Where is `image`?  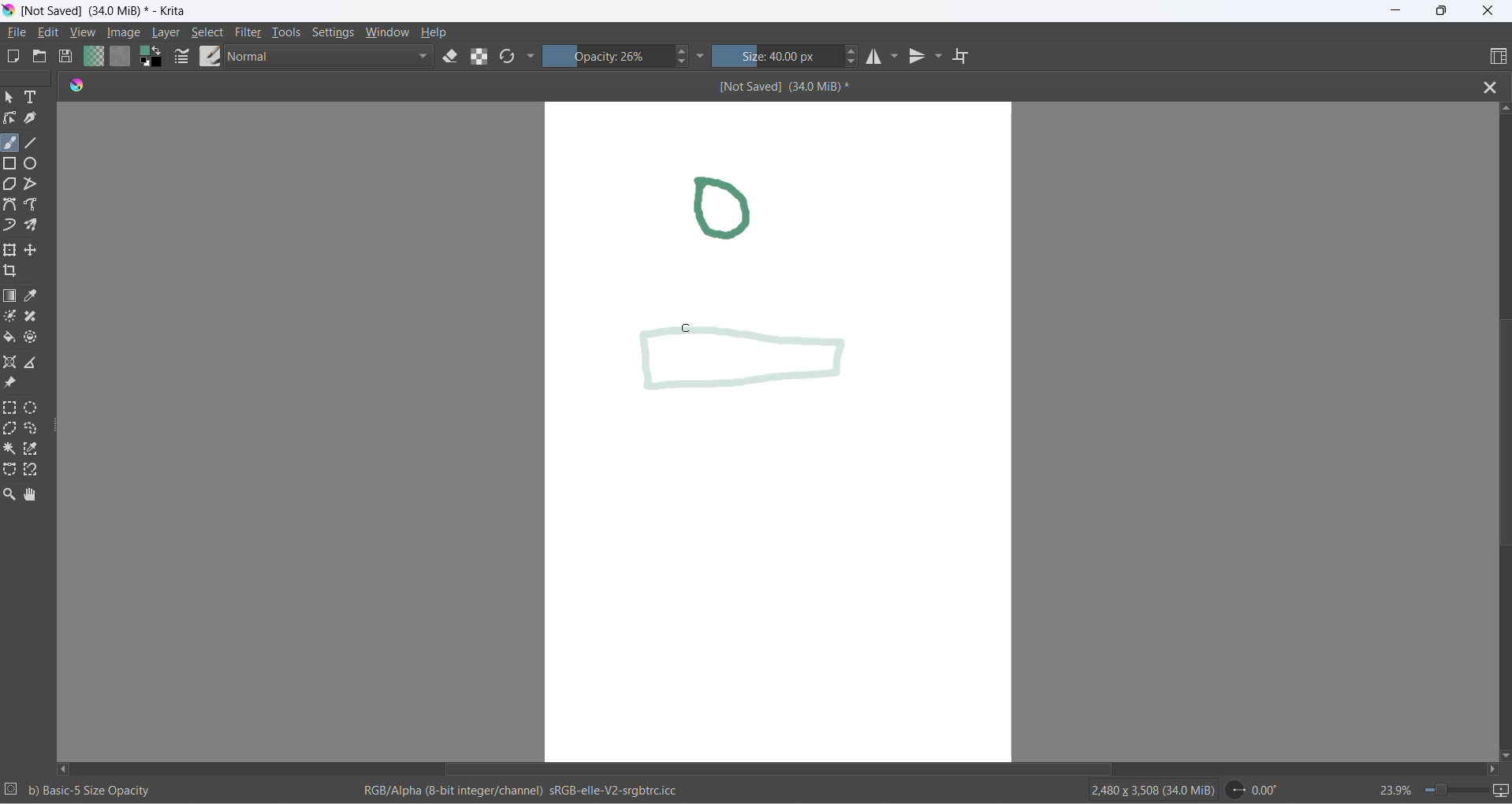
image is located at coordinates (125, 33).